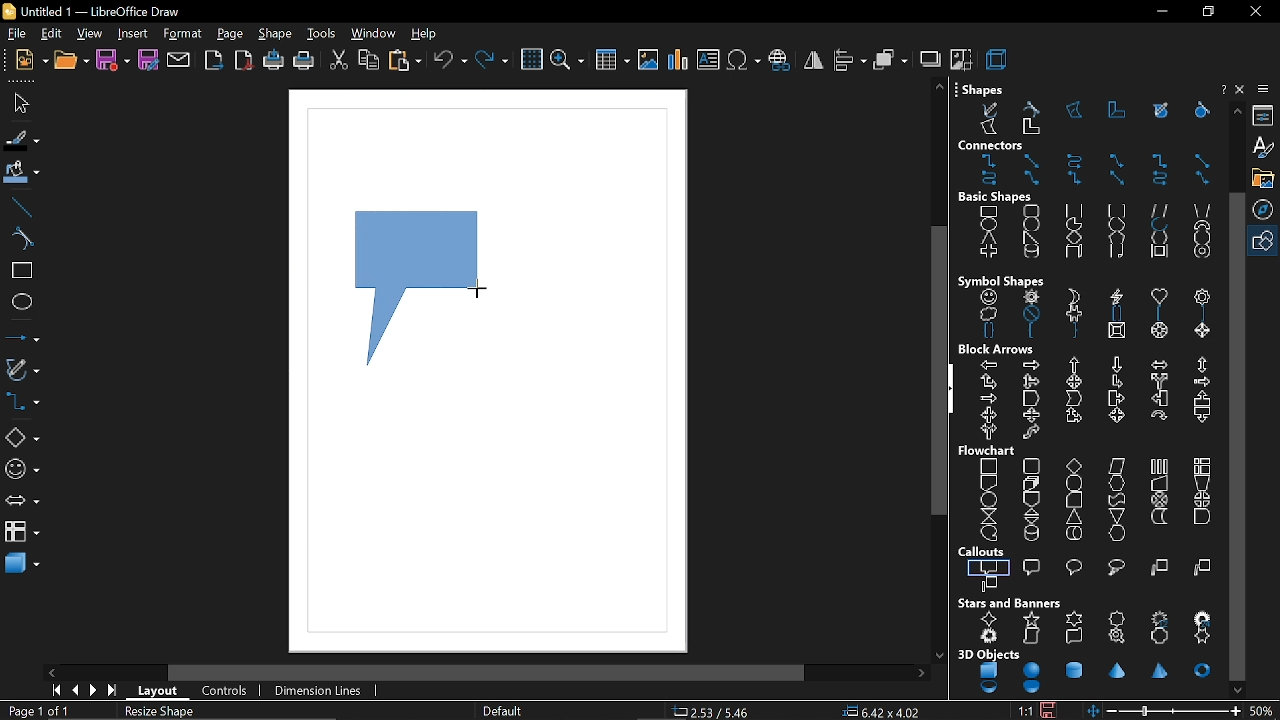 This screenshot has height=720, width=1280. Describe the element at coordinates (22, 438) in the screenshot. I see `basic shapes` at that location.